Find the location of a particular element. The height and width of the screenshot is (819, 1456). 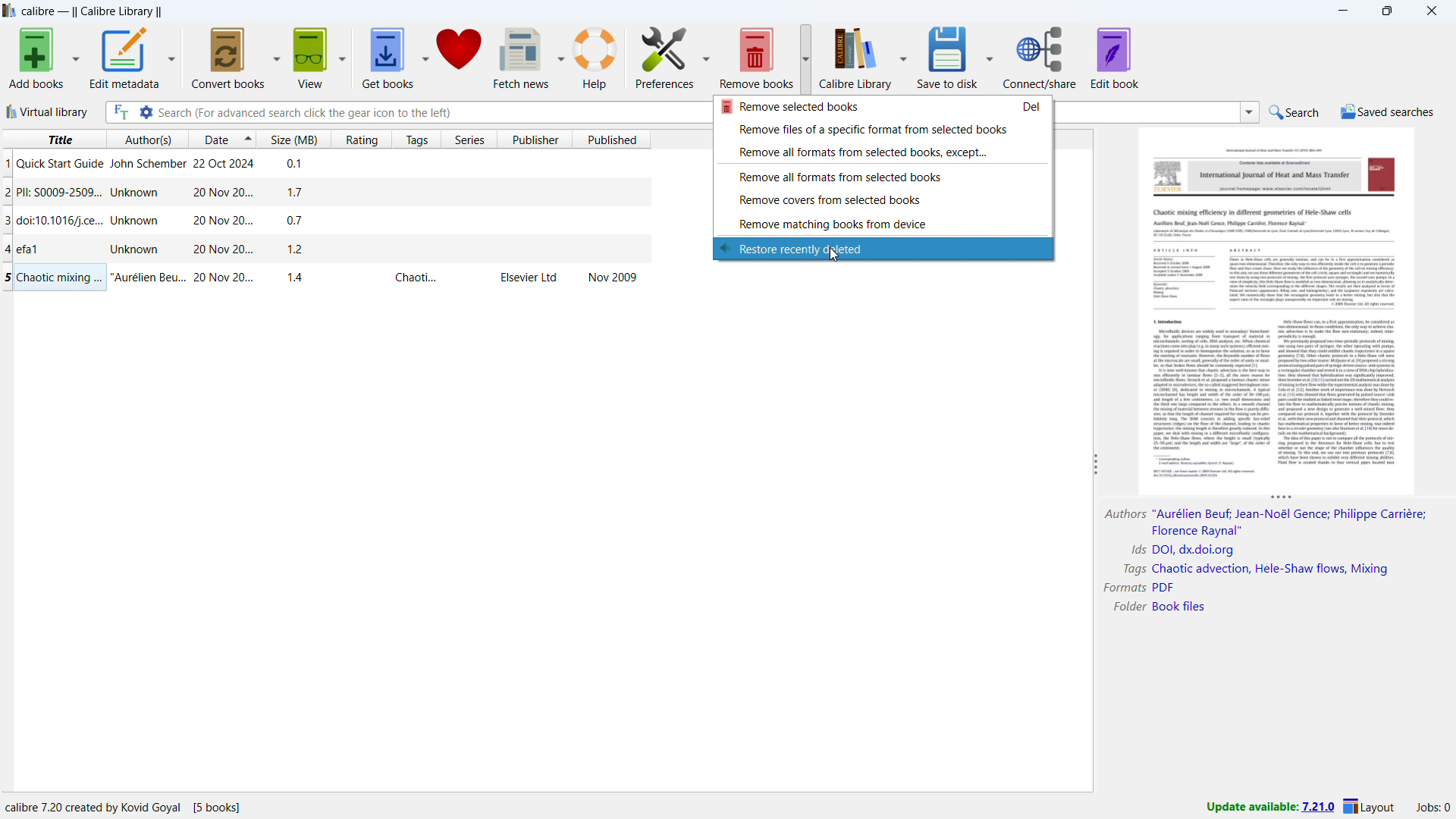

remove matching books from device is located at coordinates (883, 223).